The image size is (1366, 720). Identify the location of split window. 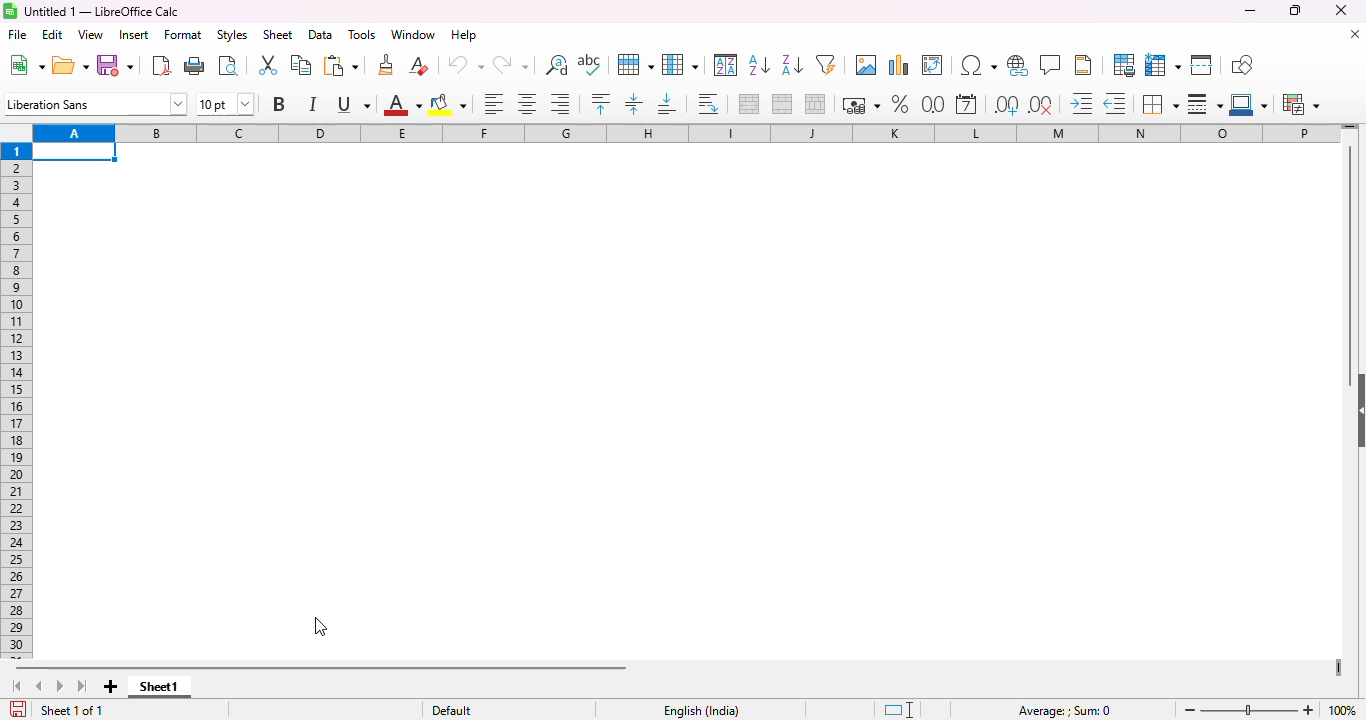
(1202, 65).